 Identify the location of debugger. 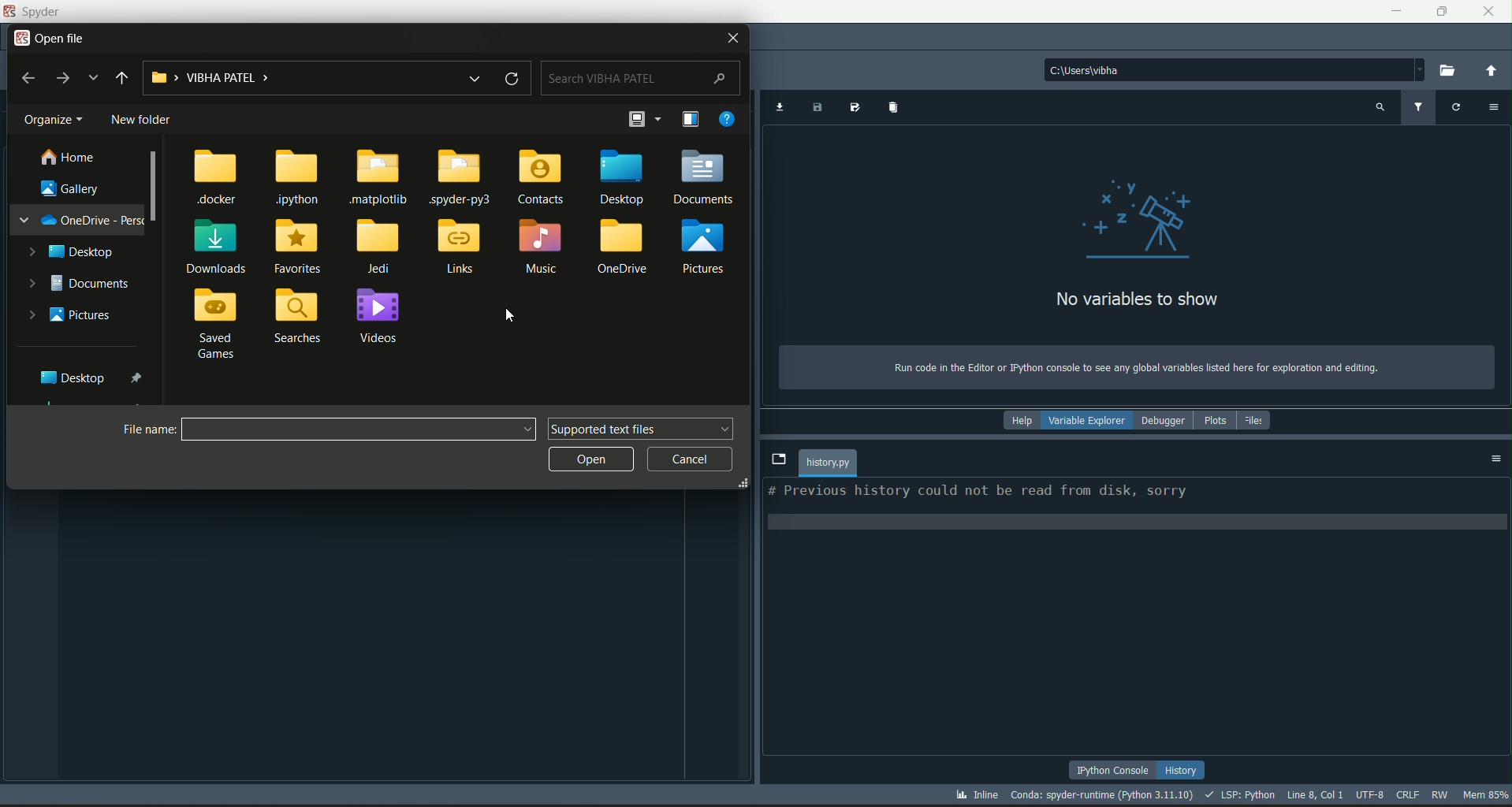
(1164, 419).